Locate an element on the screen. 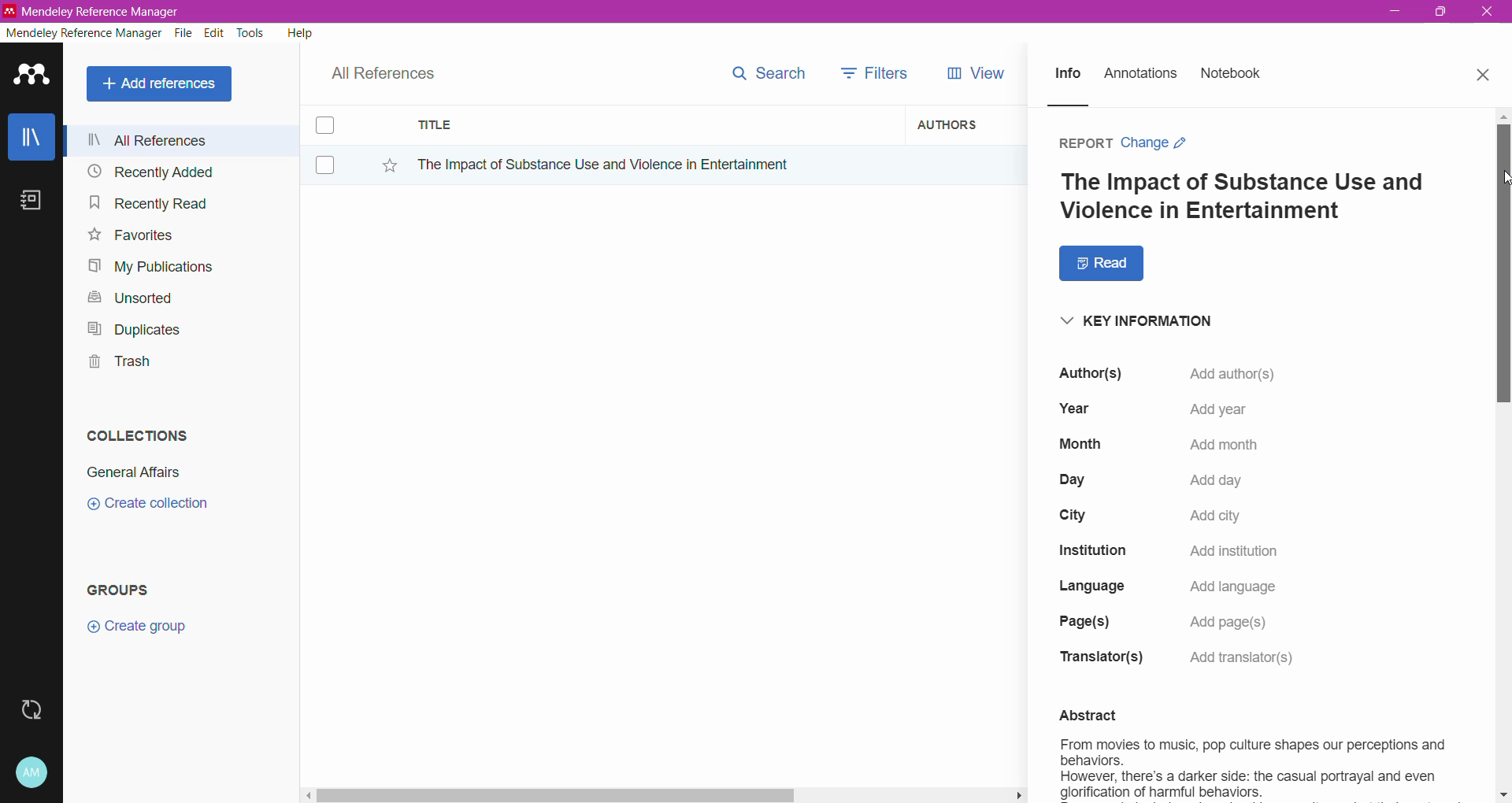 This screenshot has height=803, width=1512. All References is located at coordinates (185, 140).